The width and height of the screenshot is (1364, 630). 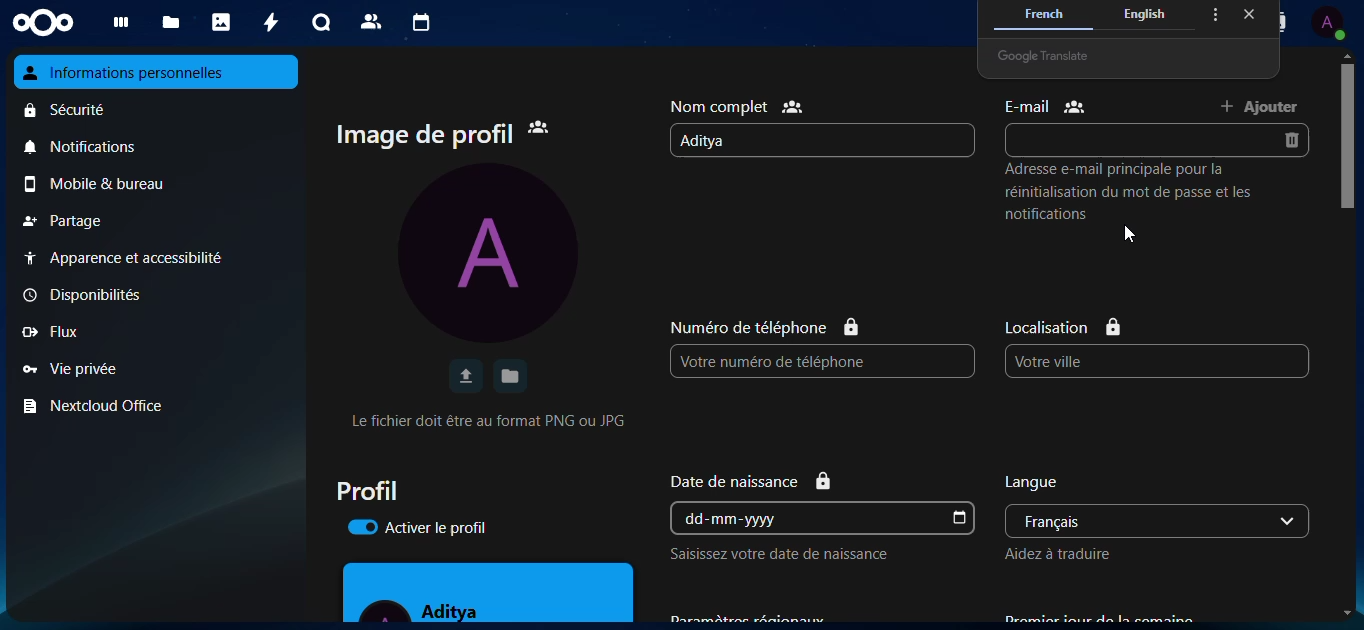 I want to click on dob, so click(x=960, y=518).